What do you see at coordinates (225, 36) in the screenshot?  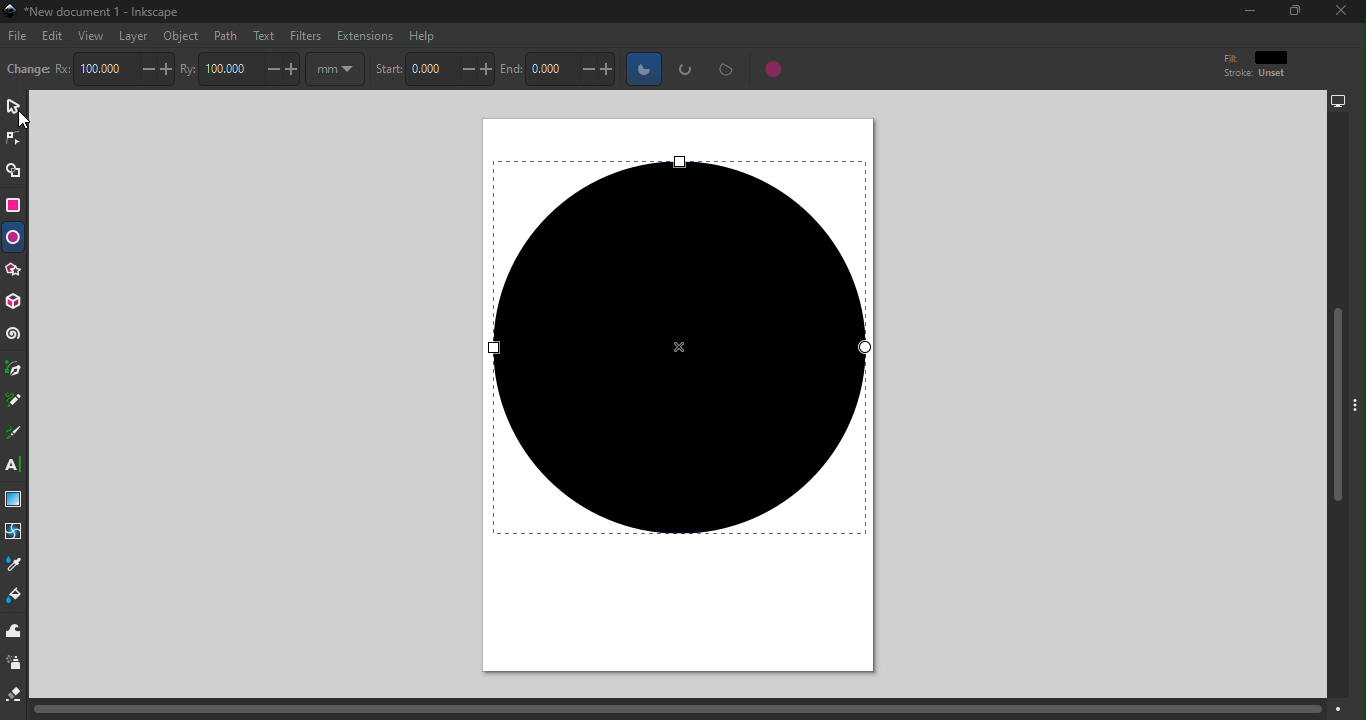 I see `Path` at bounding box center [225, 36].